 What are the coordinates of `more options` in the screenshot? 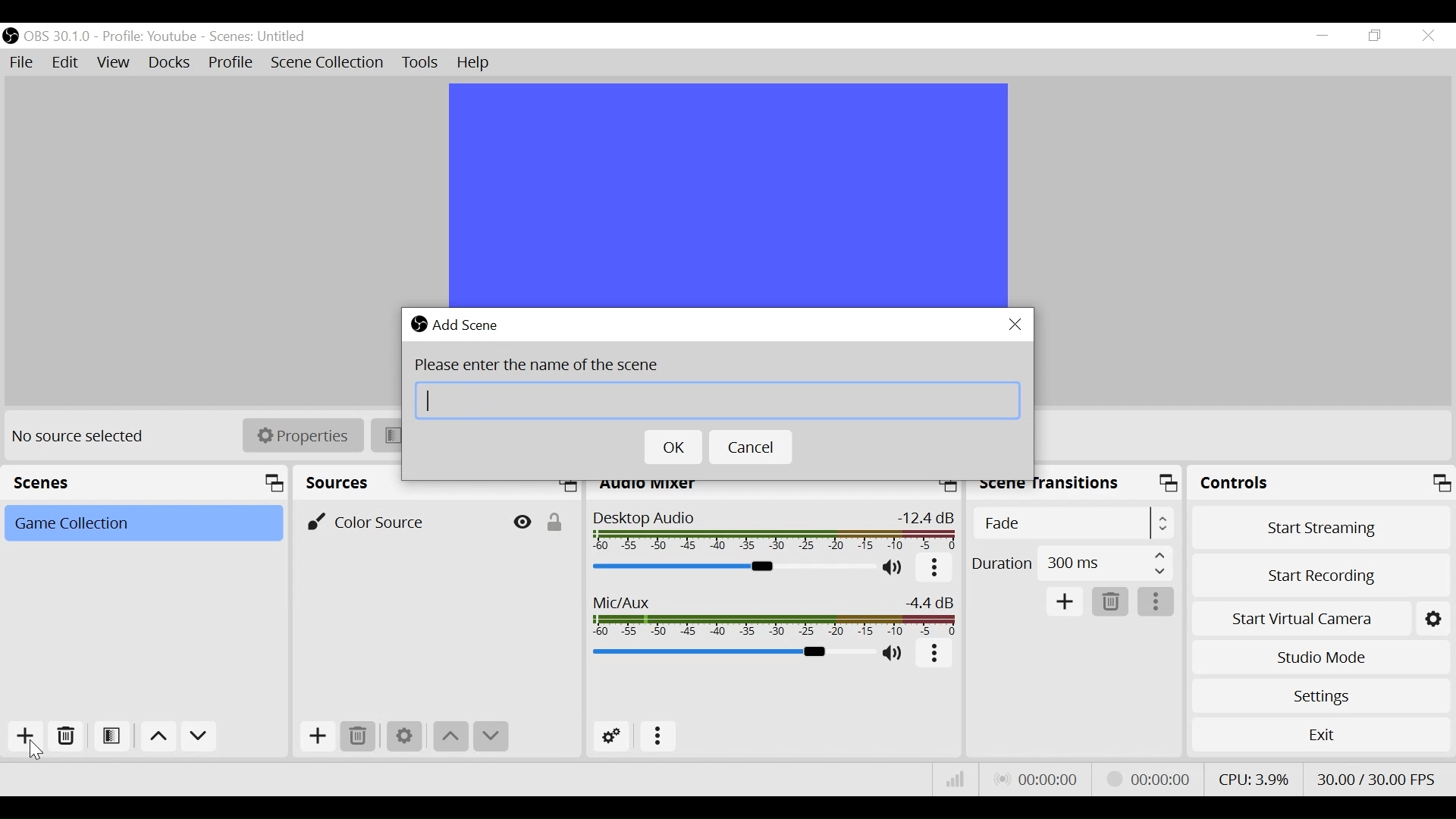 It's located at (936, 655).